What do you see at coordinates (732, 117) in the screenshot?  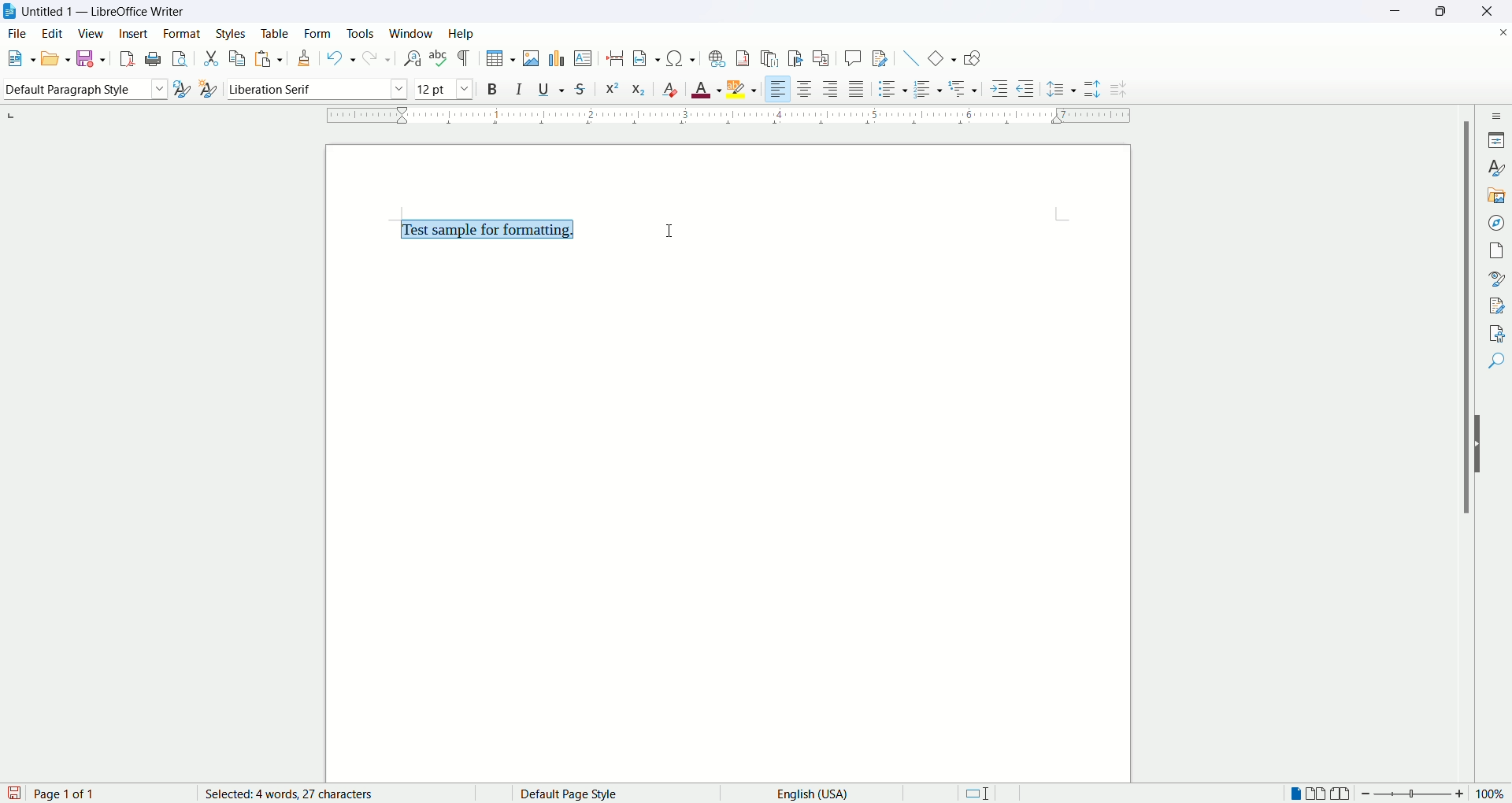 I see `ruler bar` at bounding box center [732, 117].